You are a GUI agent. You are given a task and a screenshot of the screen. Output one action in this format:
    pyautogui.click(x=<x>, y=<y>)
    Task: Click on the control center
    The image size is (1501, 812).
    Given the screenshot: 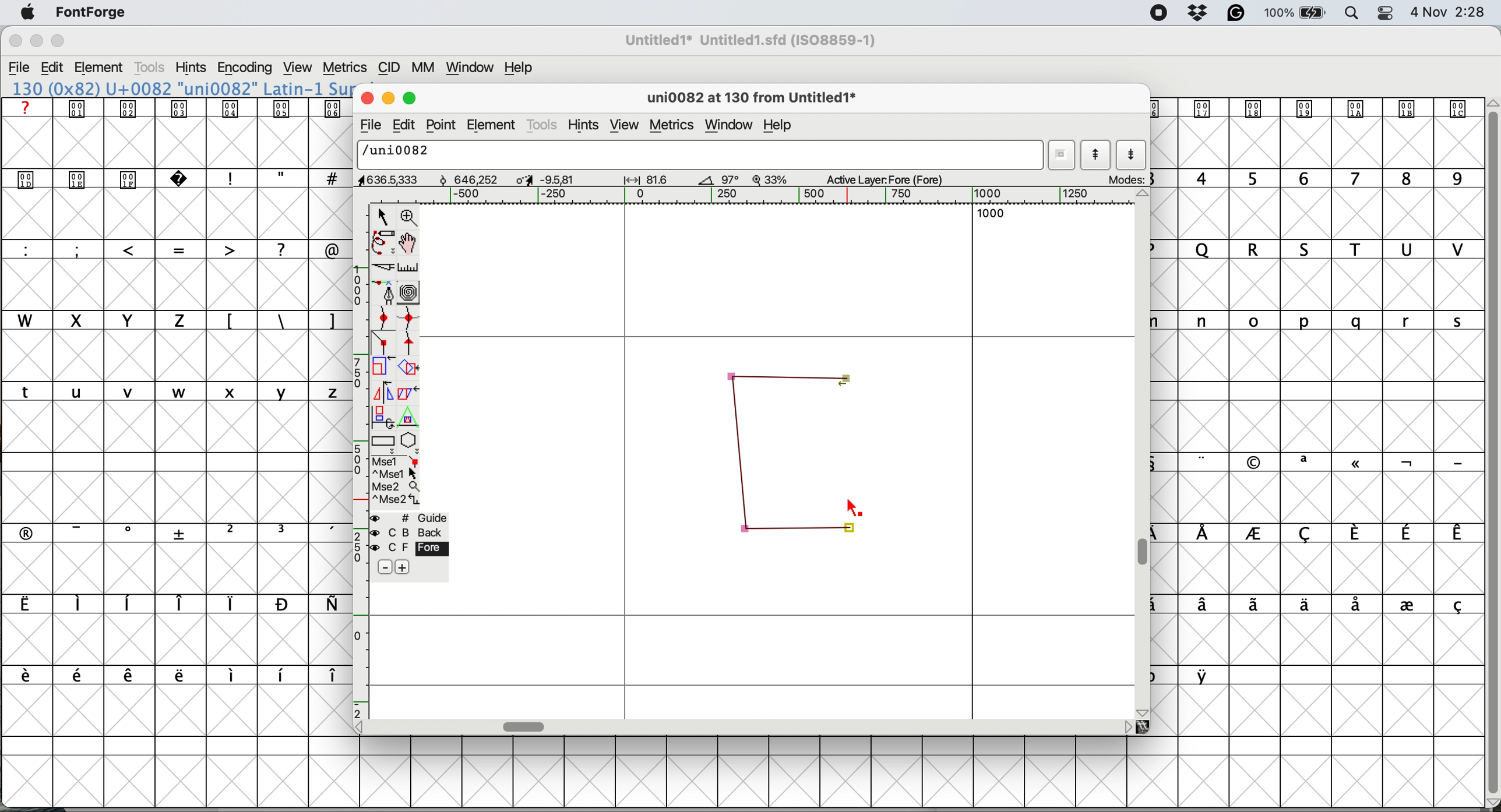 What is the action you would take?
    pyautogui.click(x=1384, y=13)
    